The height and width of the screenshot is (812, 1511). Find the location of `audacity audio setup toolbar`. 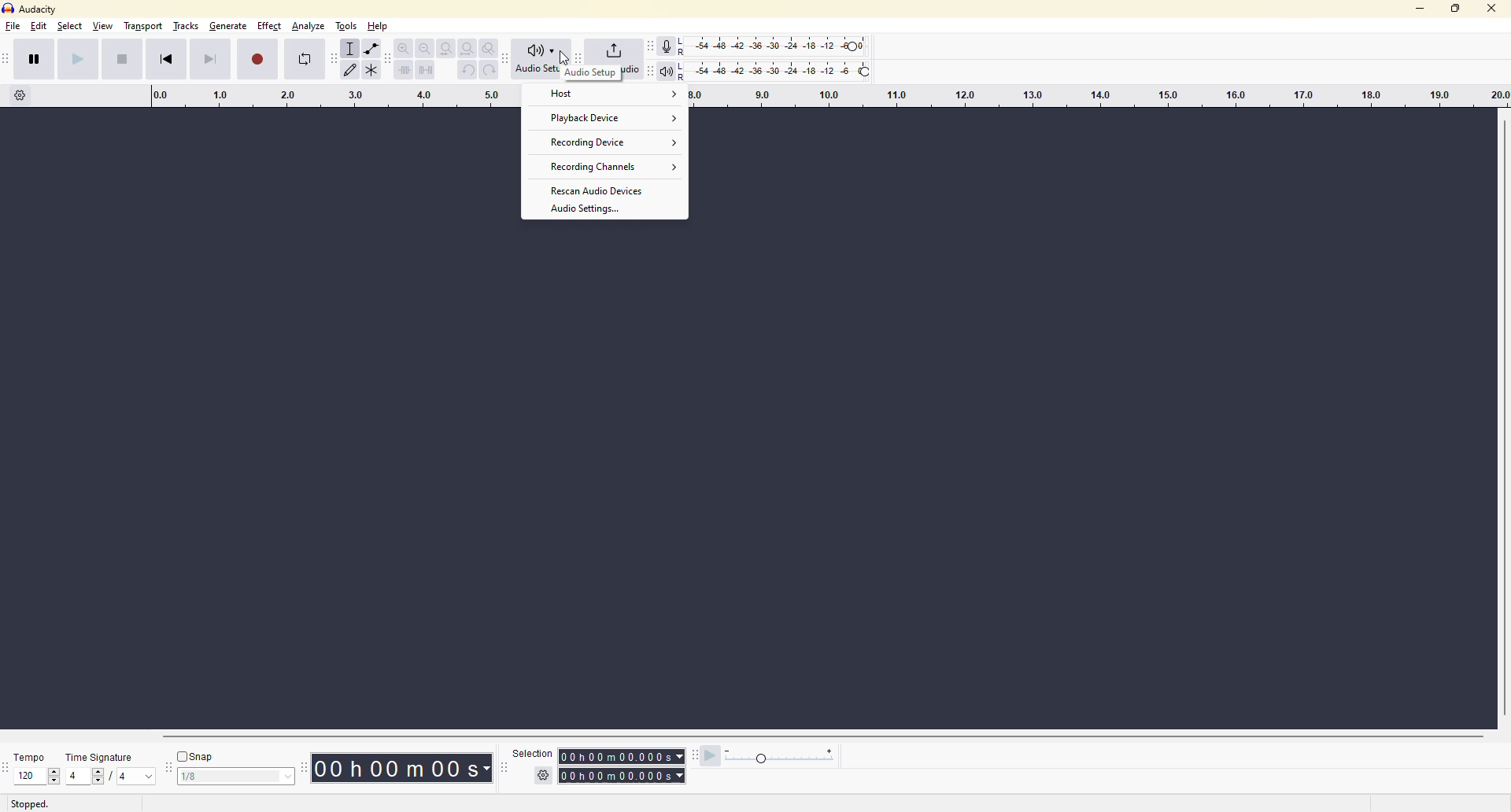

audacity audio setup toolbar is located at coordinates (504, 57).